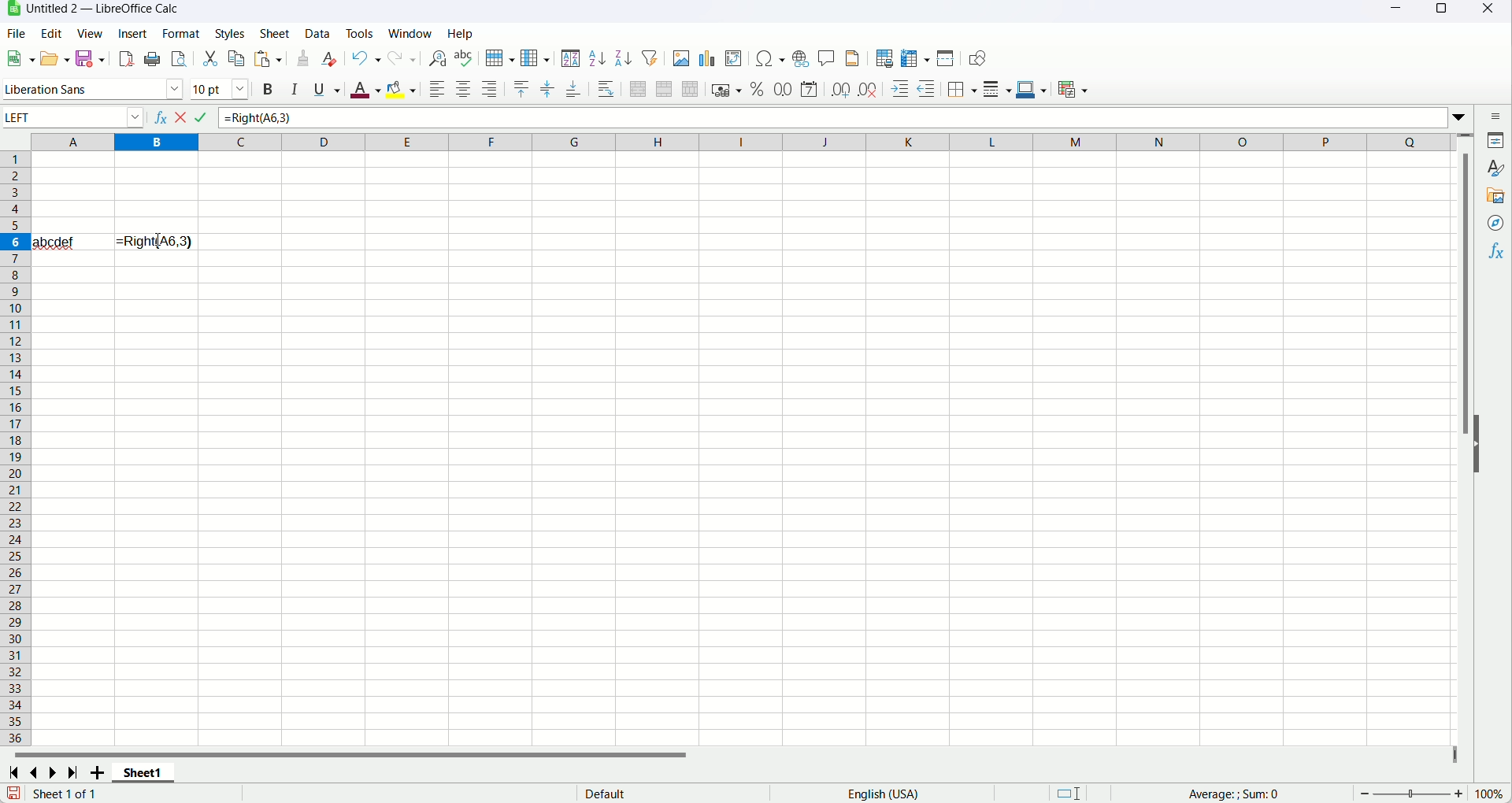 The width and height of the screenshot is (1512, 803). Describe the element at coordinates (72, 117) in the screenshot. I see `LEFT` at that location.